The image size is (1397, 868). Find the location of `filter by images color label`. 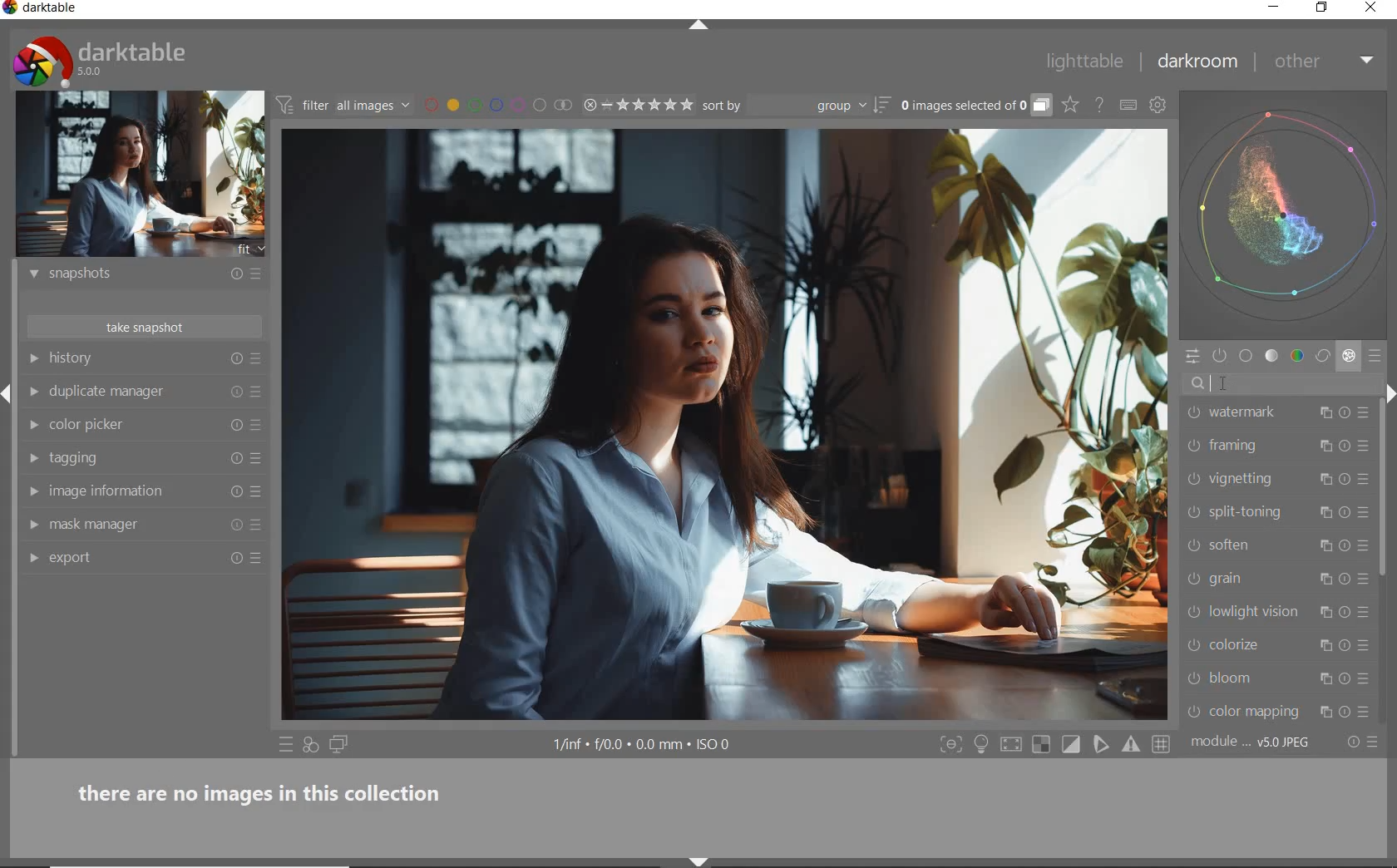

filter by images color label is located at coordinates (497, 105).